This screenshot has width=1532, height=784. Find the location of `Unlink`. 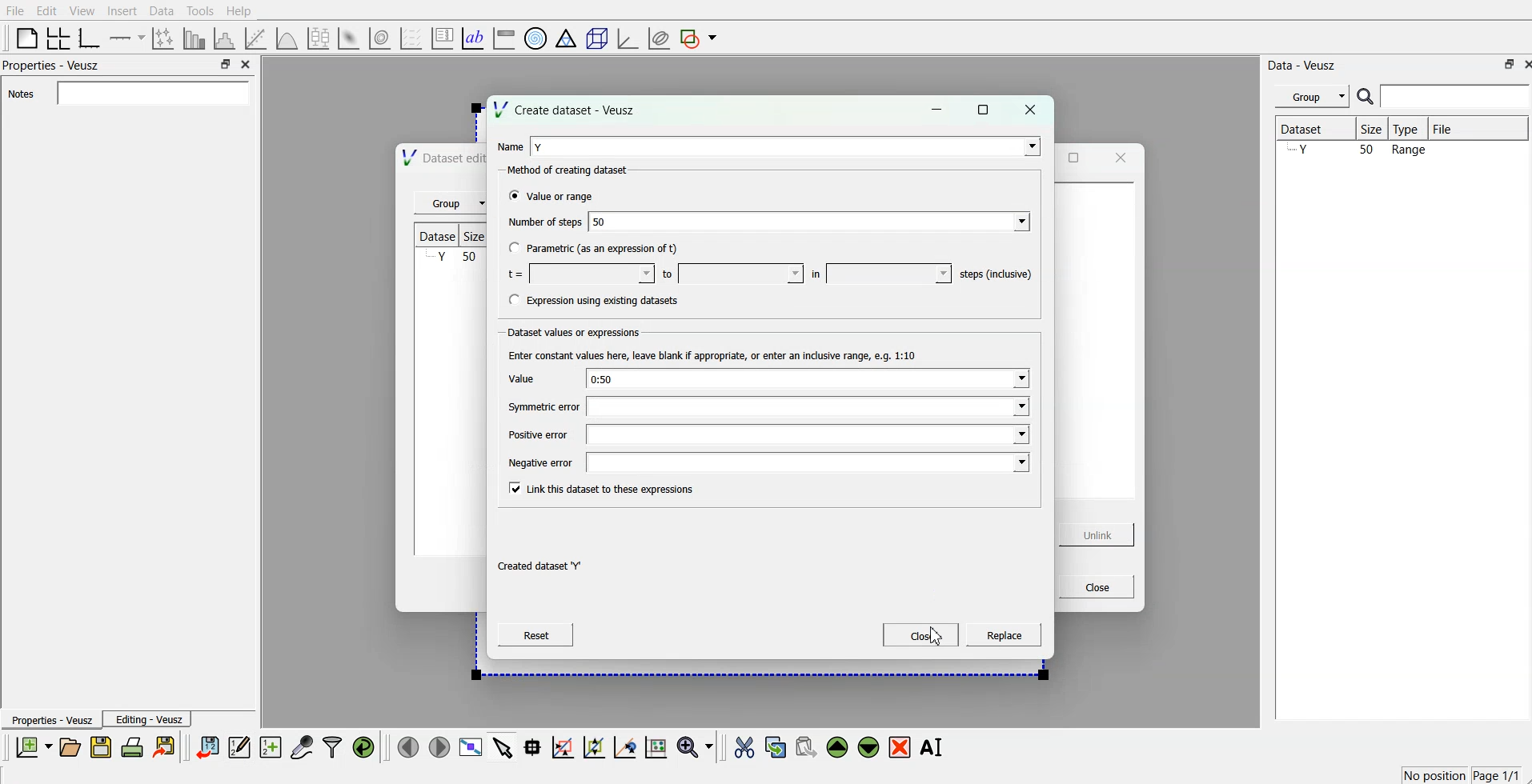

Unlink is located at coordinates (1097, 535).